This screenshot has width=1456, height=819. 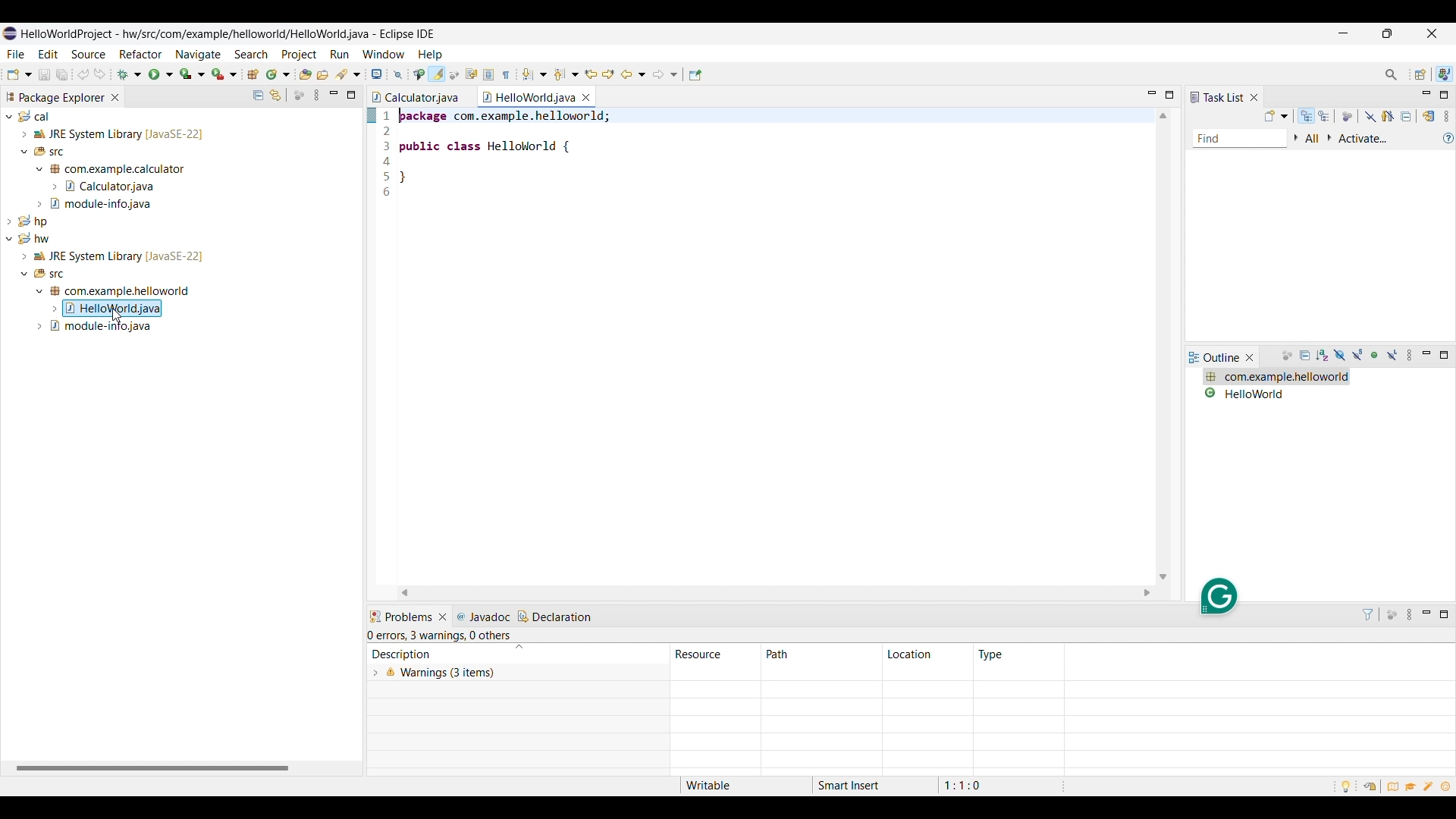 What do you see at coordinates (397, 75) in the screenshot?
I see `Skip all breakpoints` at bounding box center [397, 75].